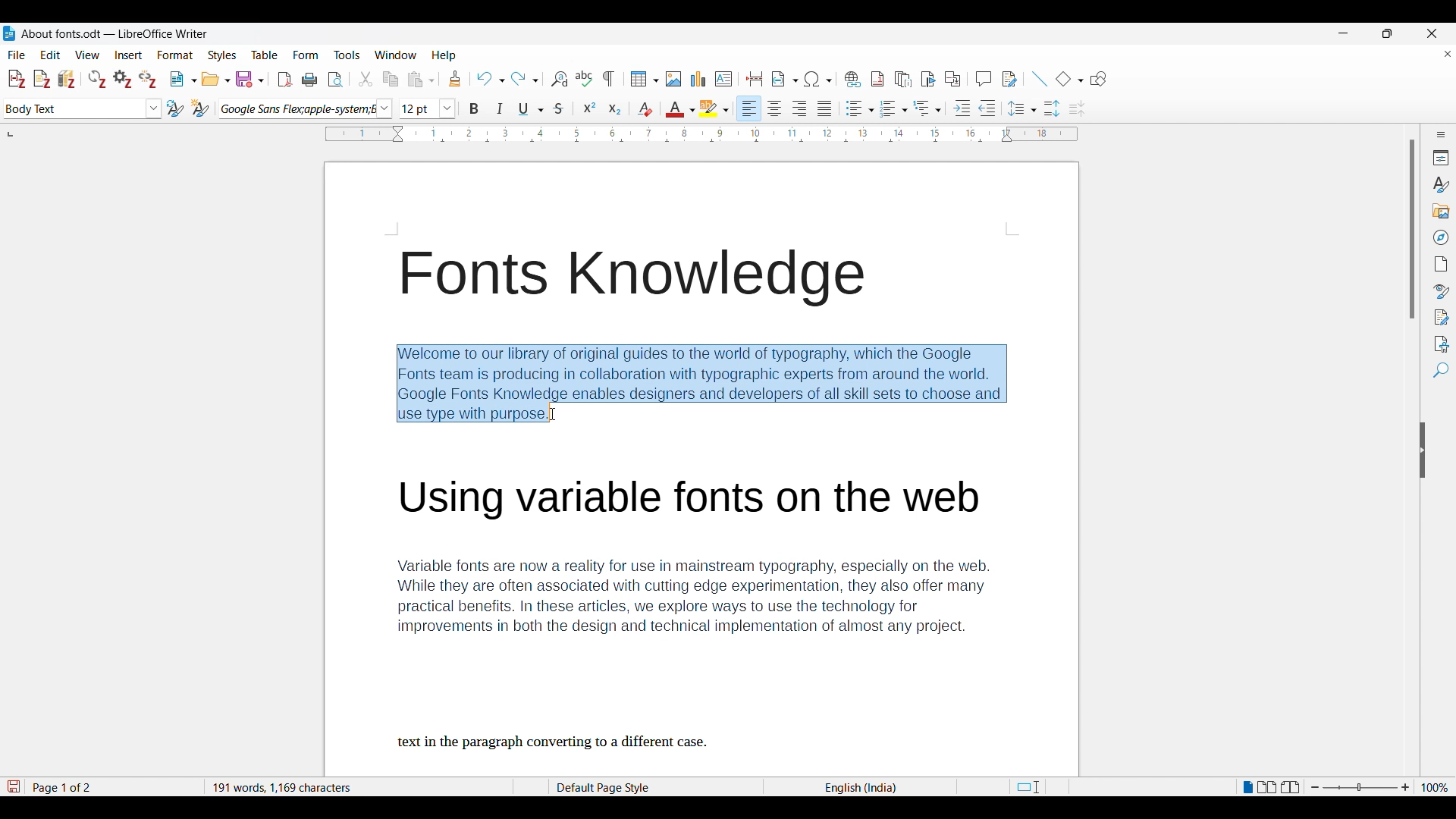 This screenshot has width=1456, height=819. I want to click on Horizontal scale, so click(702, 135).